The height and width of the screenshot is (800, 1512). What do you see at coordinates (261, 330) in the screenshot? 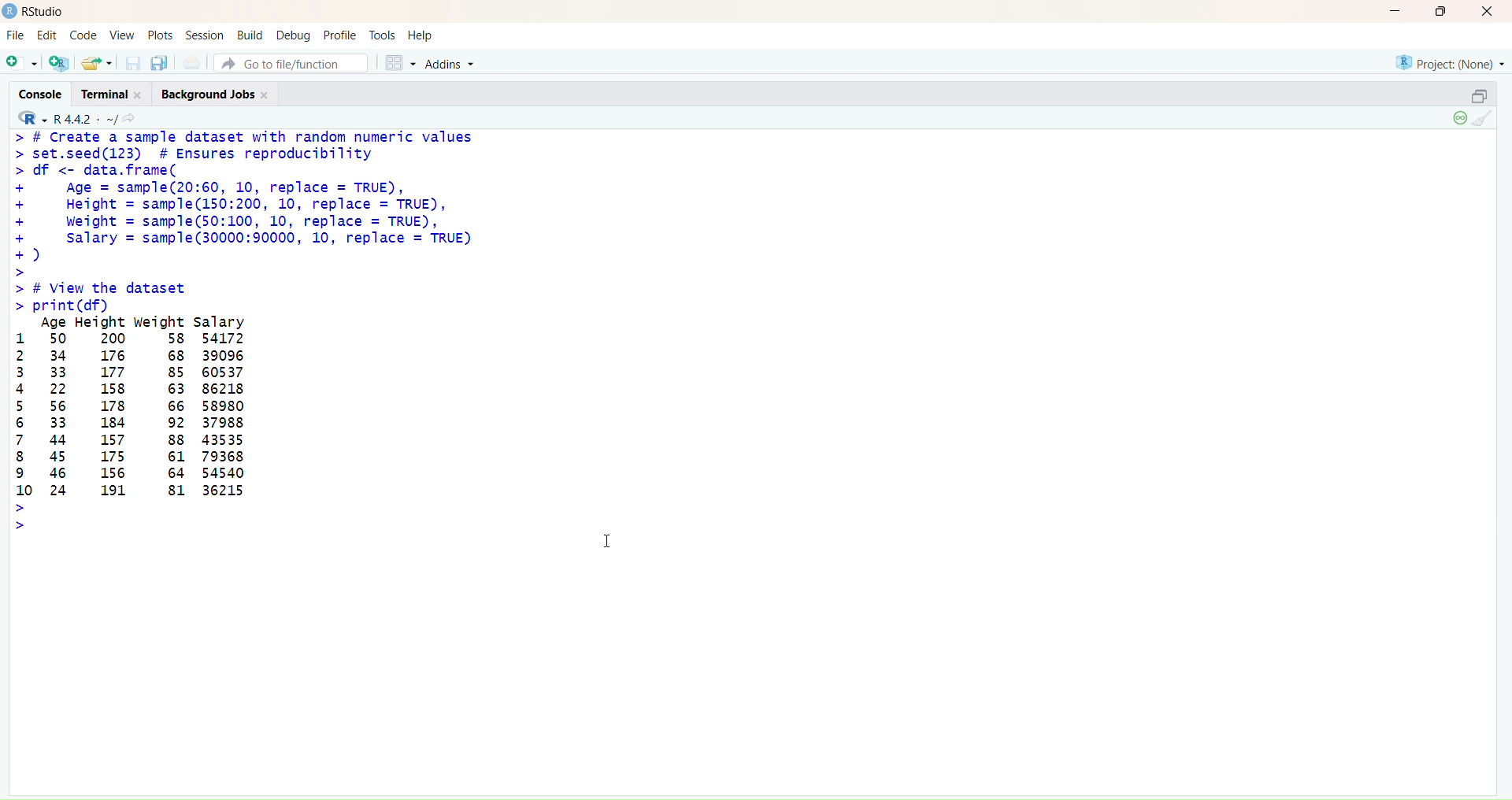
I see `> # Create a sample dataset with random numeric values
> set.seed(123) # Ensures reproducibility
> df <- data.frame(
+ Age = sample(20:60, 10, replace = TRUE),
+ Height = sample(150:200, 10, replace = TRUE),
+ Weight = sample(50:100, 10, replace = TRUE),
+ Salary = samp1e(30000:90000, 10, replace = TRUE)
+)
>
> # View the dataset
> print (df)
Age Height weight salary
1 50 200 58 54172
2 34 176 68 39096
3 33 177 85 60537
4 22 158 63 86218
5 56 178 66 58980
6 33 184 92 37988
7 44 157 88 43535
8 45 175 61 79368
9 46 156 64 54540
10 24 191 81 36215
>
>` at bounding box center [261, 330].